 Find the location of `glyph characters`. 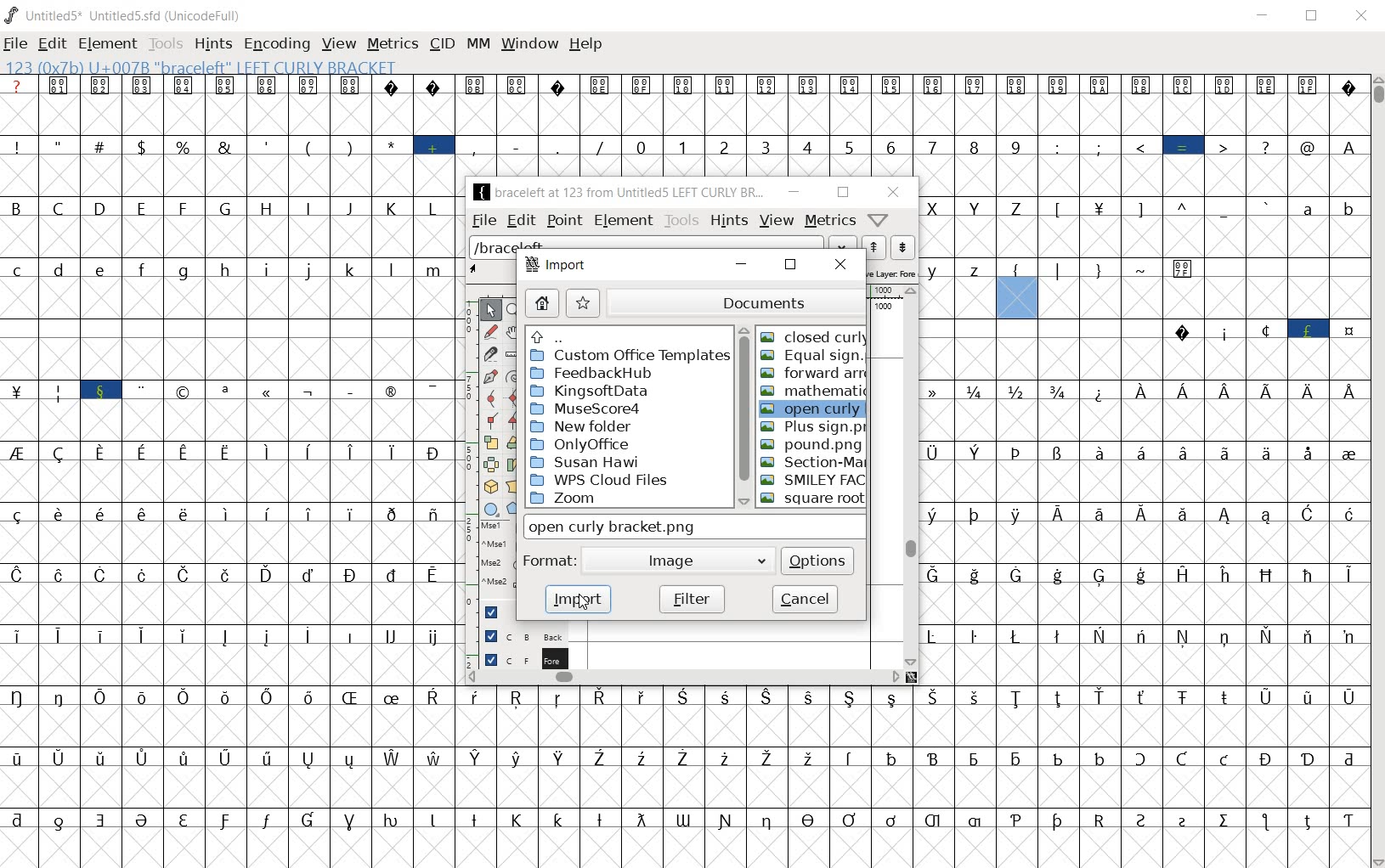

glyph characters is located at coordinates (227, 471).